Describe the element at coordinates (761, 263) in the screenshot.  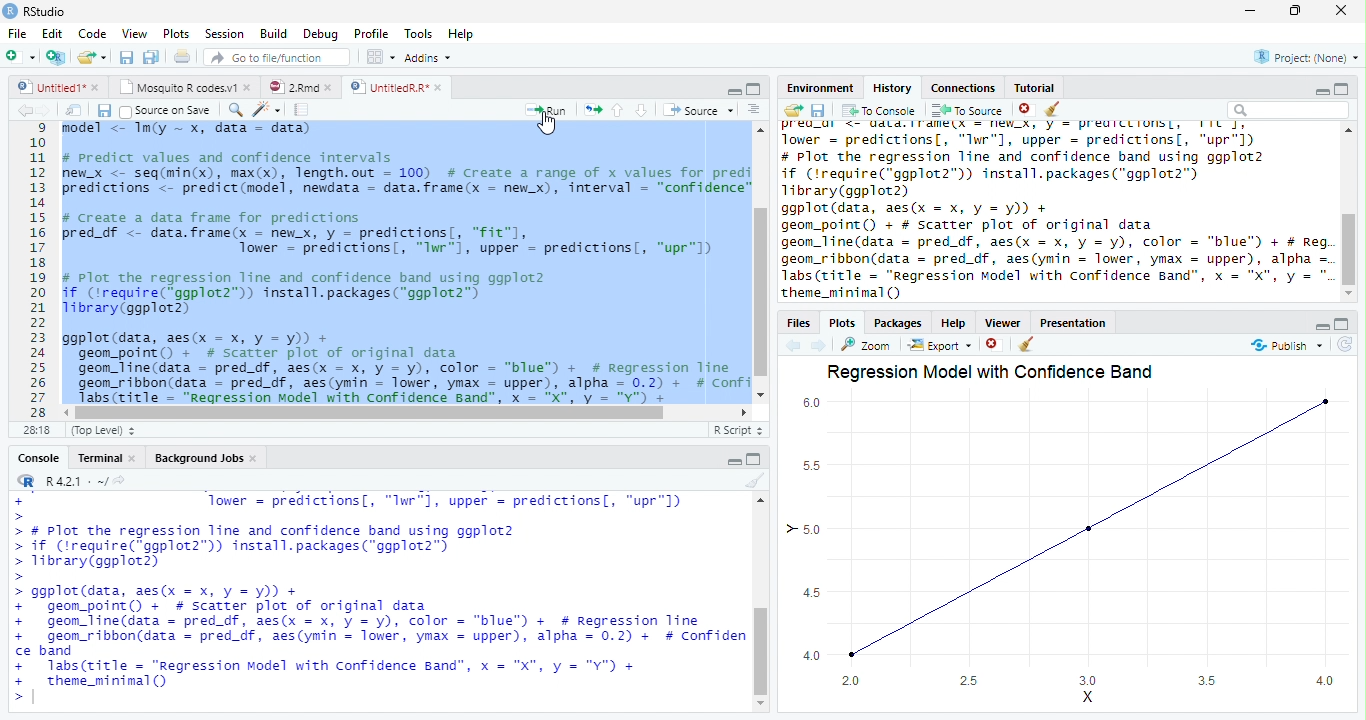
I see `Scrollbar` at that location.